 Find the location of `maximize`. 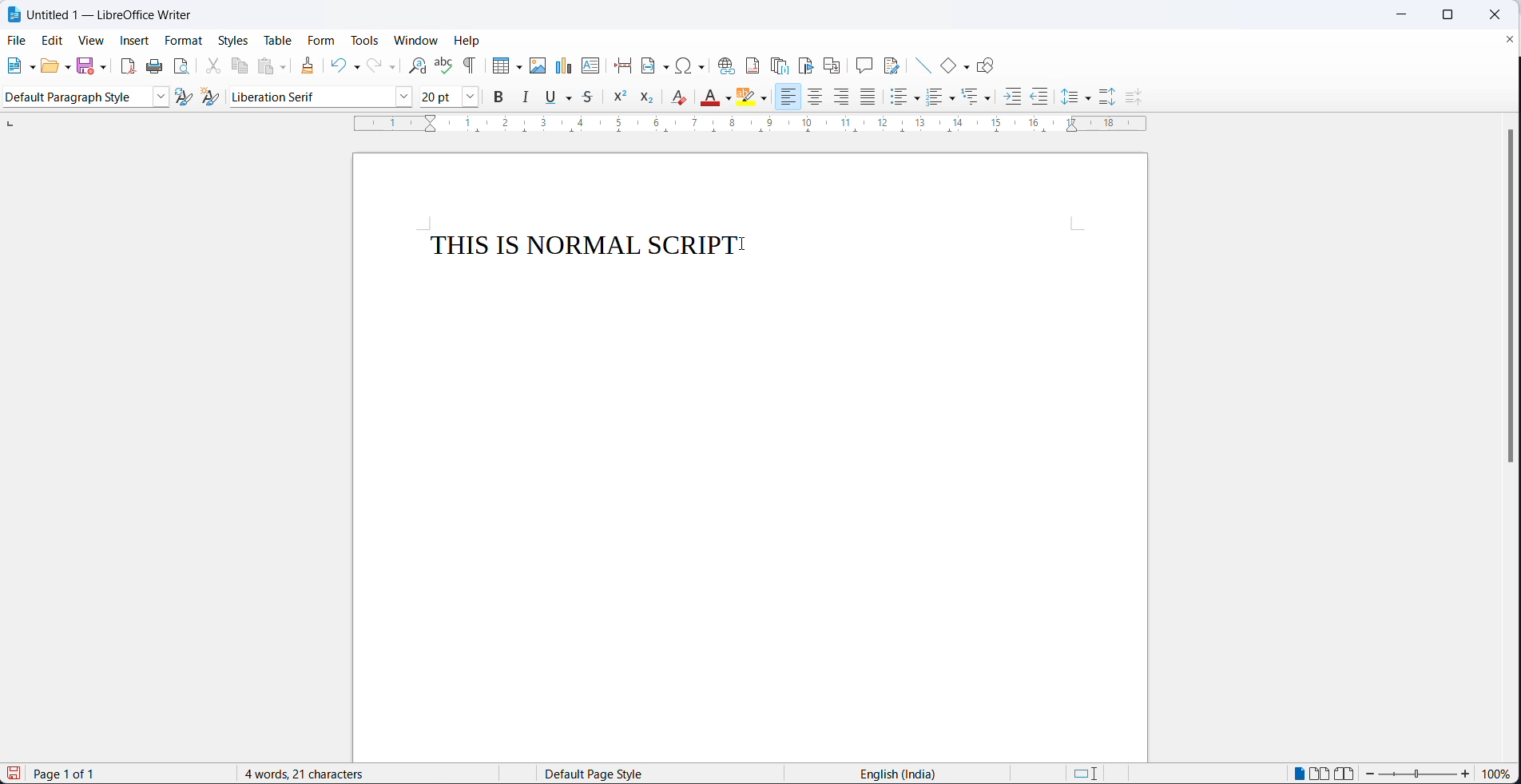

maximize is located at coordinates (1444, 16).